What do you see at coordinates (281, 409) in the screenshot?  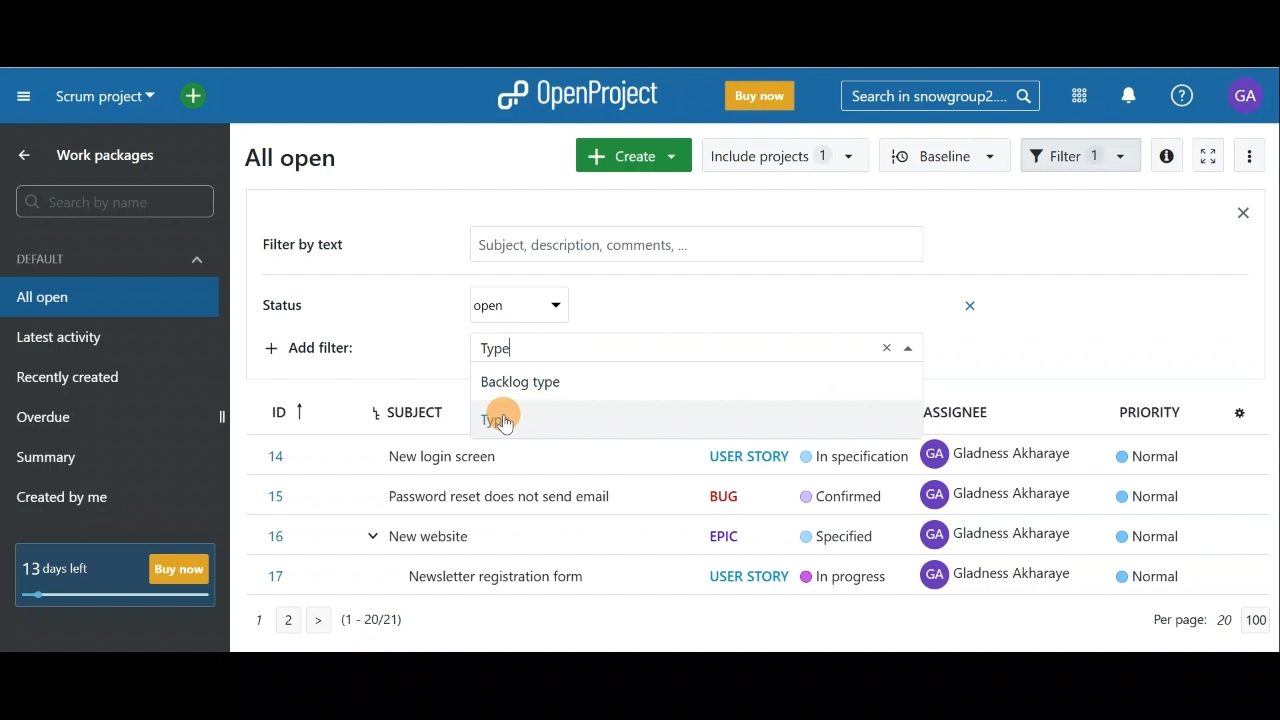 I see `ID` at bounding box center [281, 409].